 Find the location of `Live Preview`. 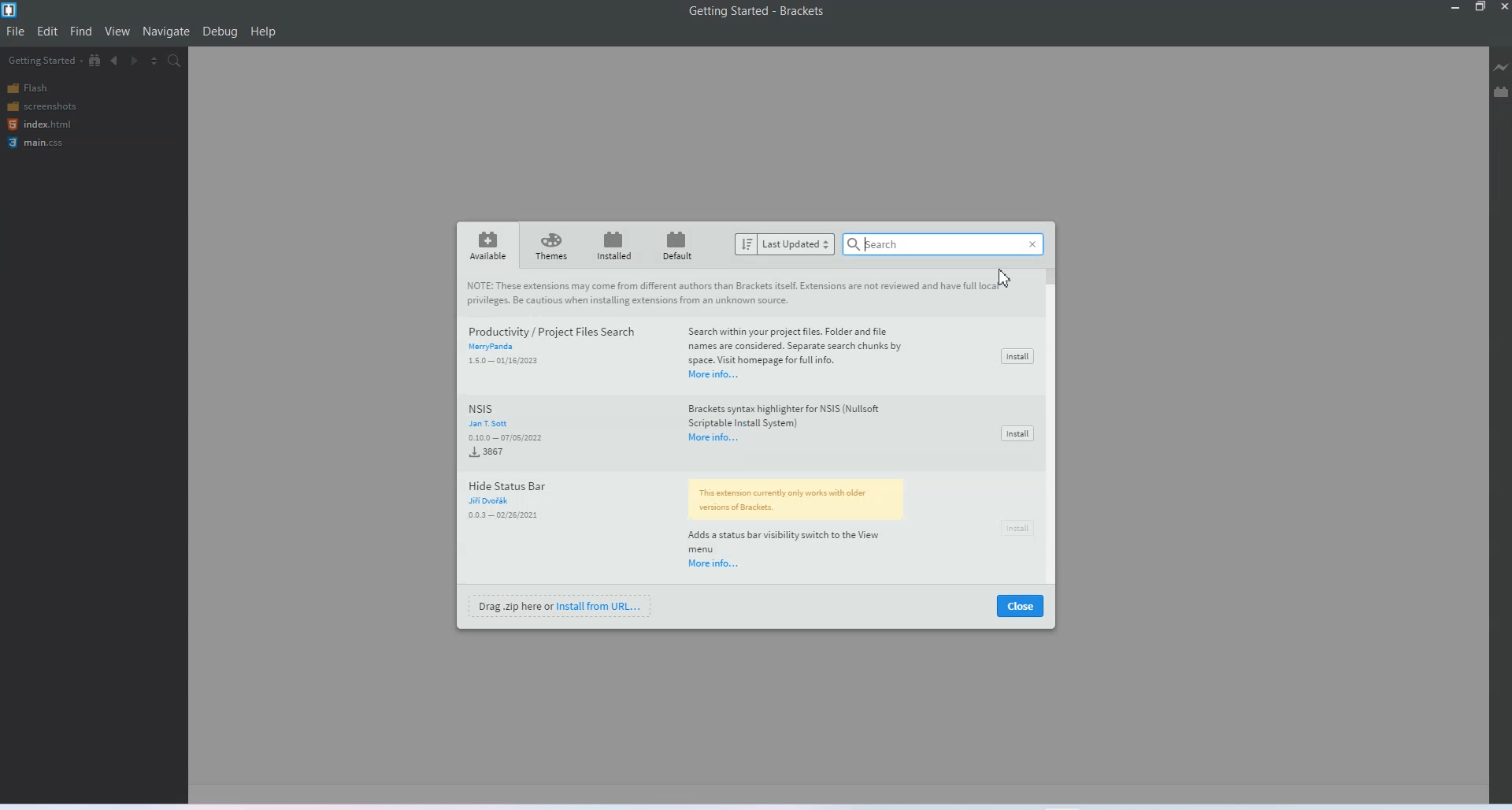

Live Preview is located at coordinates (1502, 68).